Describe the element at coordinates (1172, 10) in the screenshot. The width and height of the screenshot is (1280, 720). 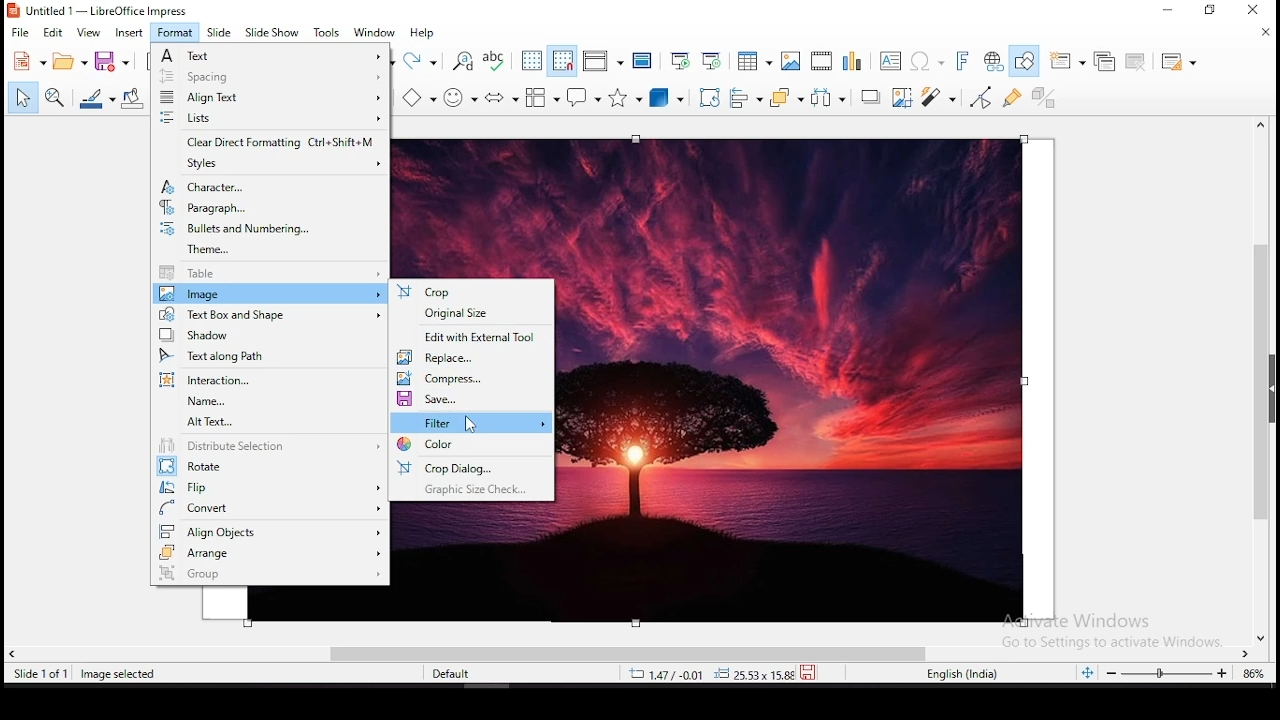
I see `minimize` at that location.